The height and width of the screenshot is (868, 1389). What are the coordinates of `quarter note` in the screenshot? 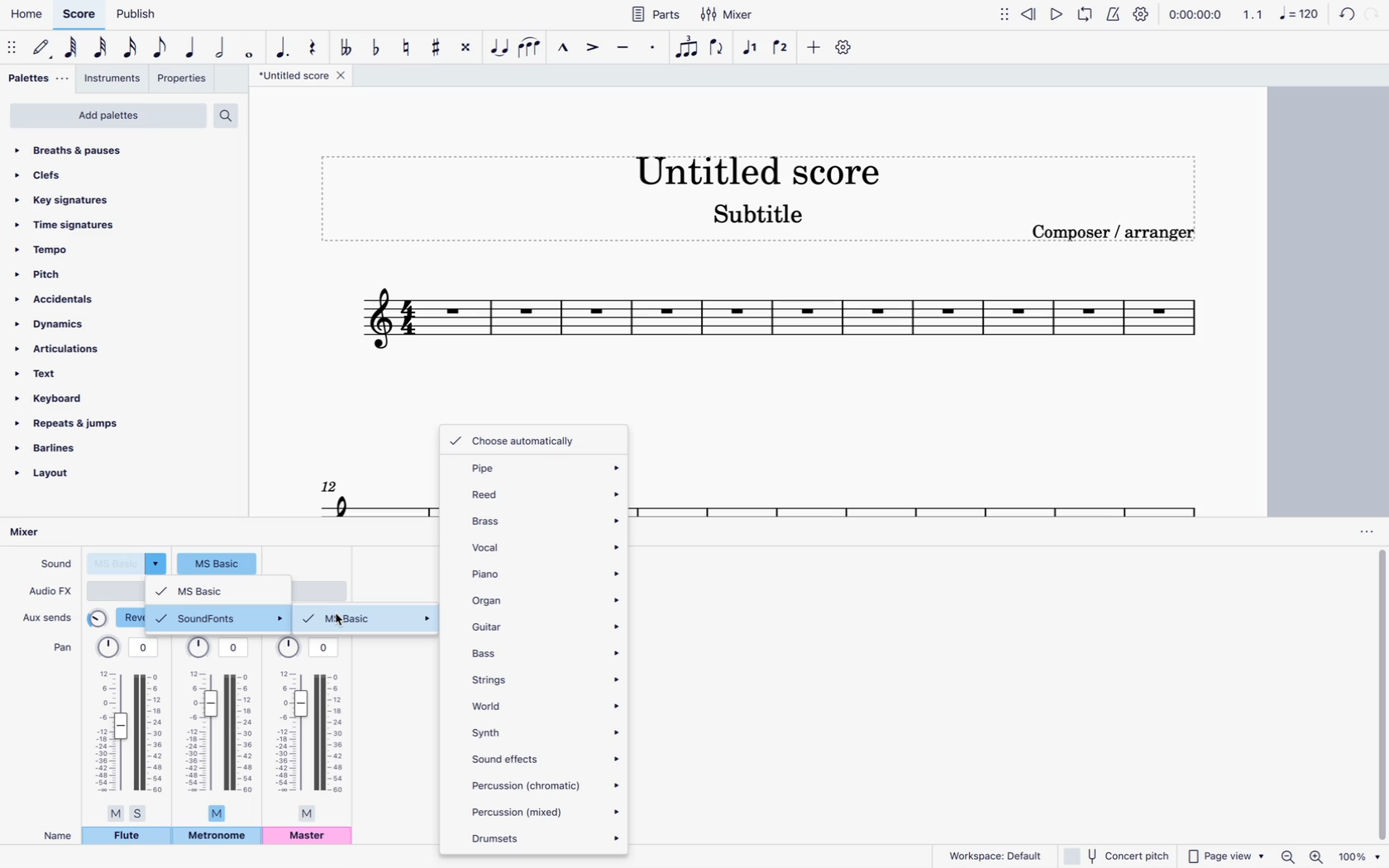 It's located at (193, 49).